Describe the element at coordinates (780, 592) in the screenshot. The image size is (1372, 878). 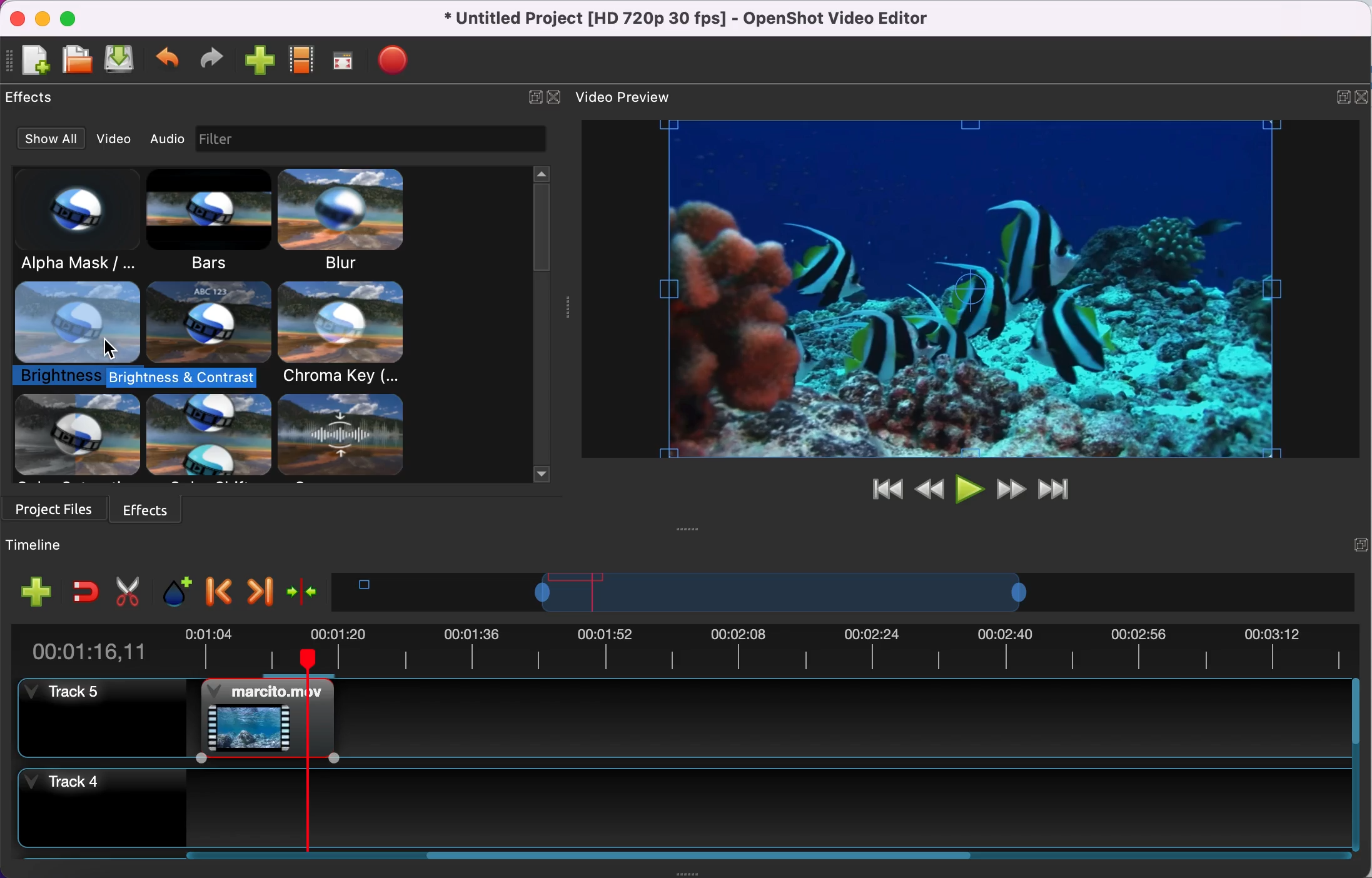
I see `timeline` at that location.